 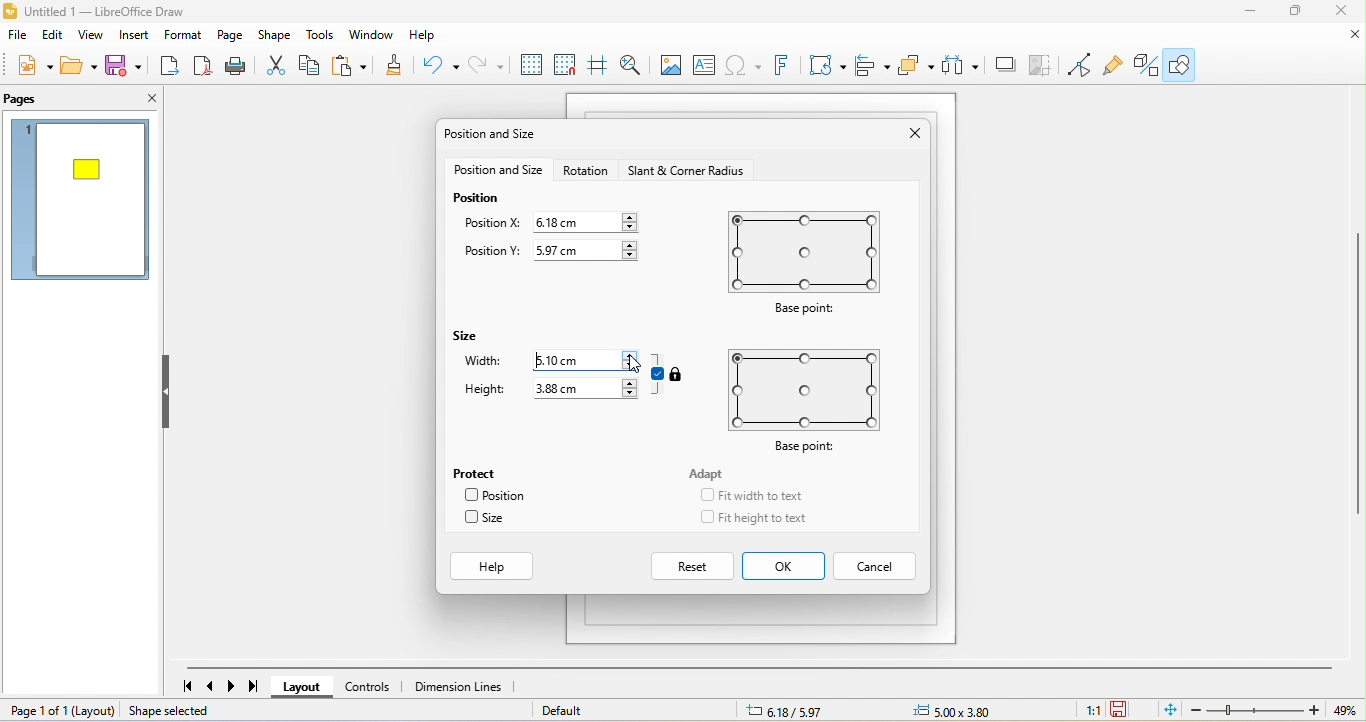 I want to click on helpline while moving, so click(x=600, y=65).